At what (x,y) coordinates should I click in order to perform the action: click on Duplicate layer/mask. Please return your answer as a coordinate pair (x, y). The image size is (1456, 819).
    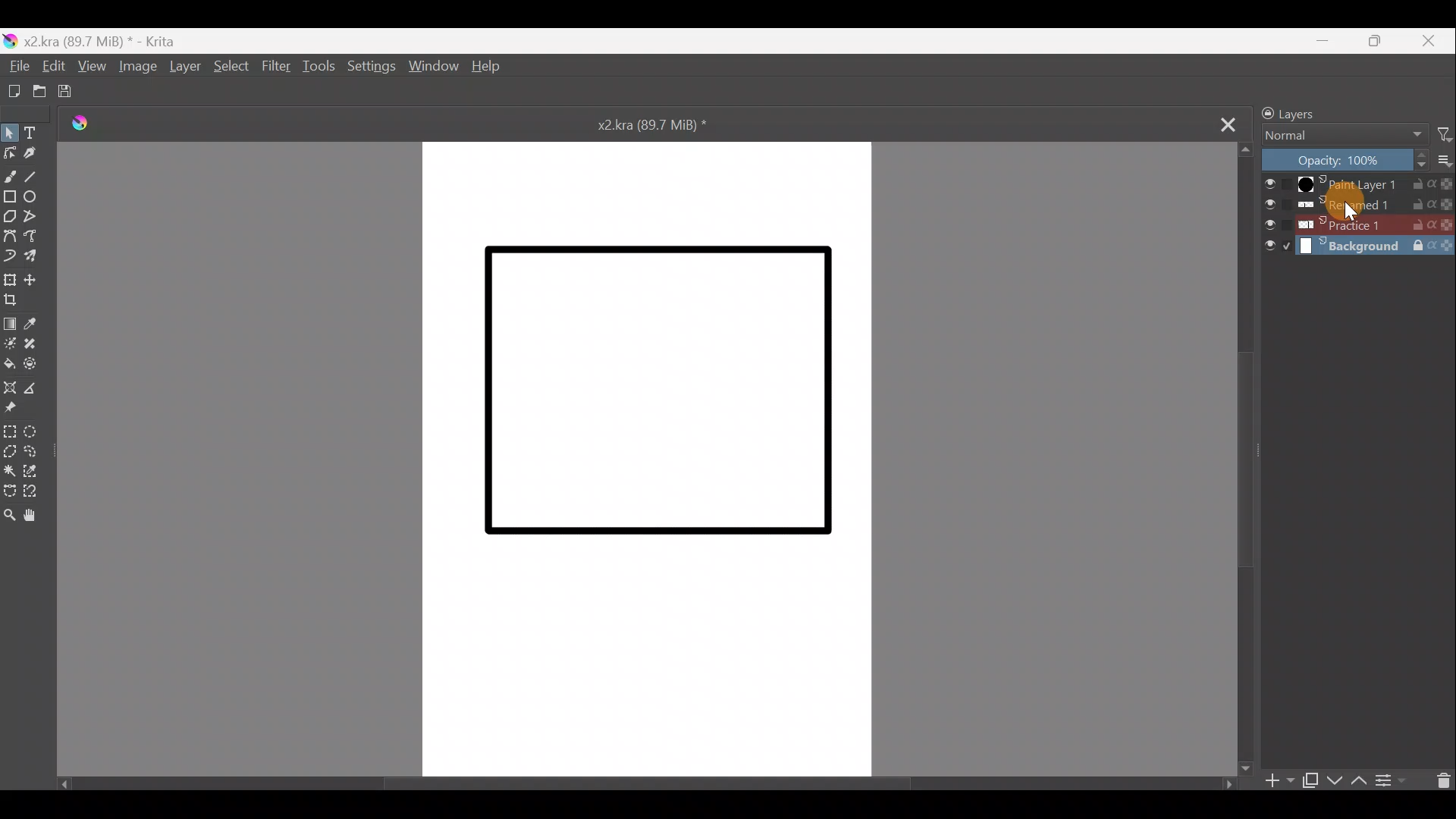
    Looking at the image, I should click on (1311, 783).